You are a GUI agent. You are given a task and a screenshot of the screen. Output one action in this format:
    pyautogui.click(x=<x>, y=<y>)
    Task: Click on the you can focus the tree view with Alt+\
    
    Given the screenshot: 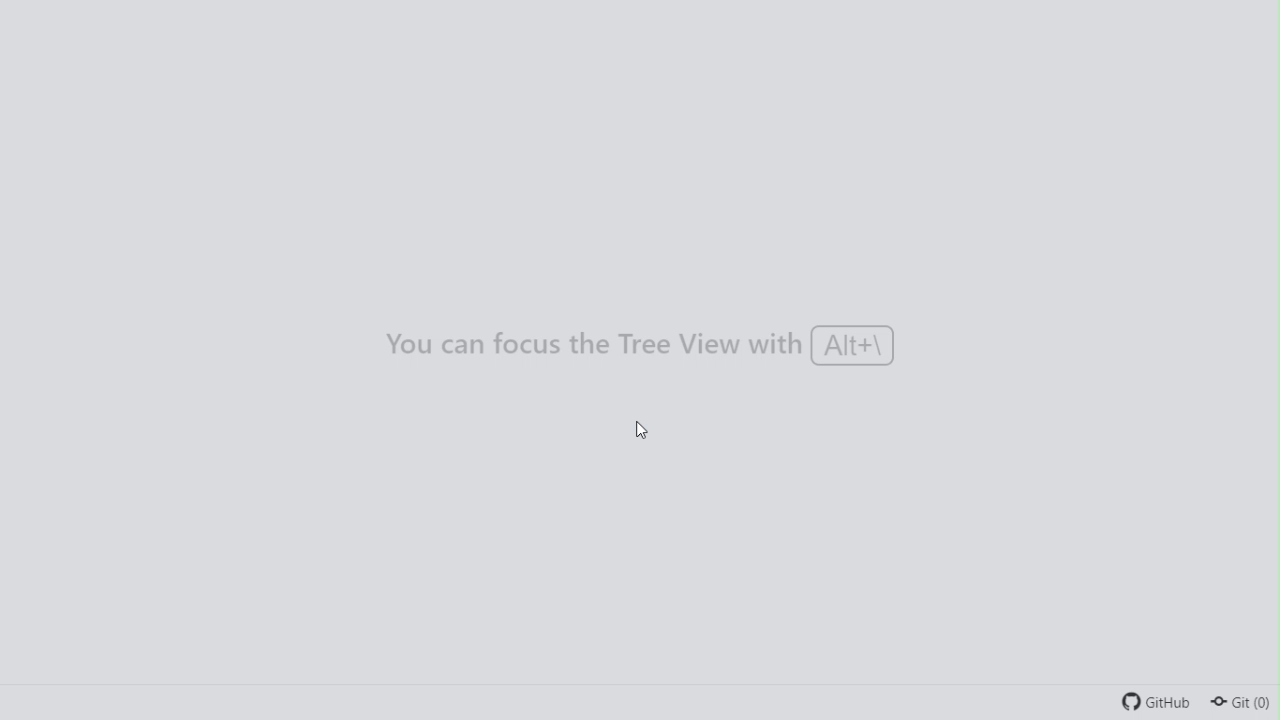 What is the action you would take?
    pyautogui.click(x=636, y=344)
    